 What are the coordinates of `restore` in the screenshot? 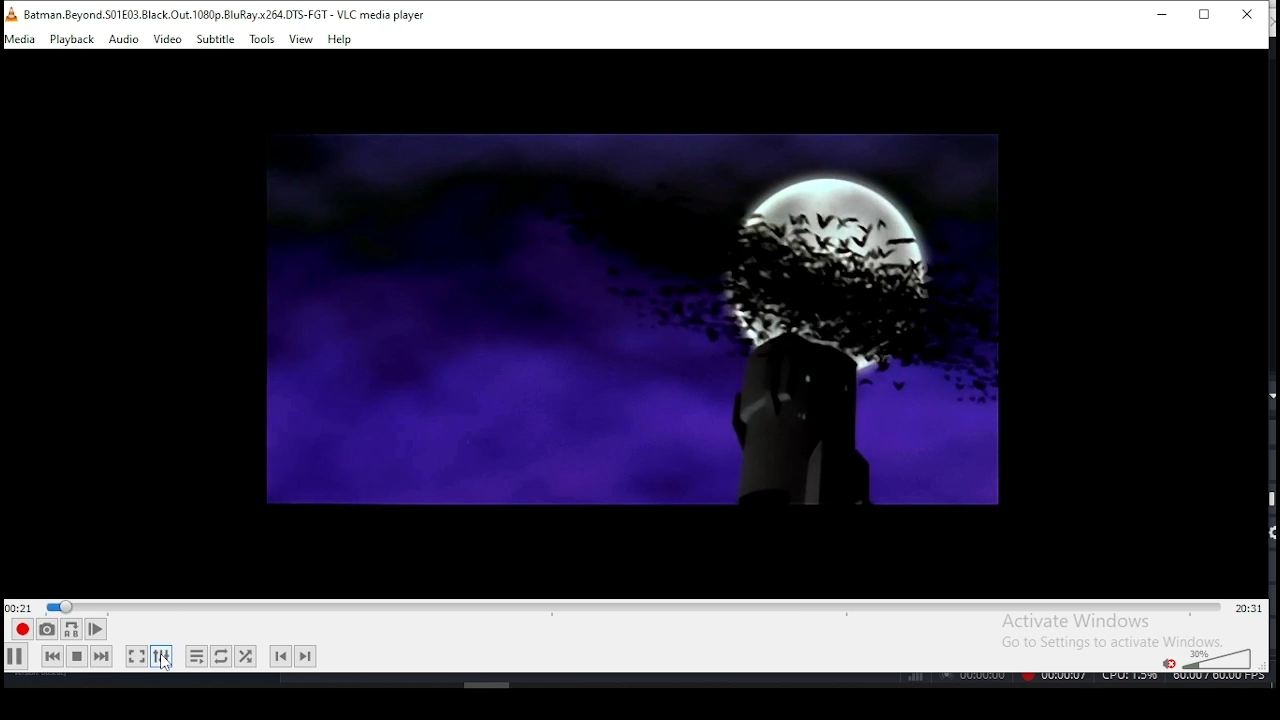 It's located at (1204, 16).